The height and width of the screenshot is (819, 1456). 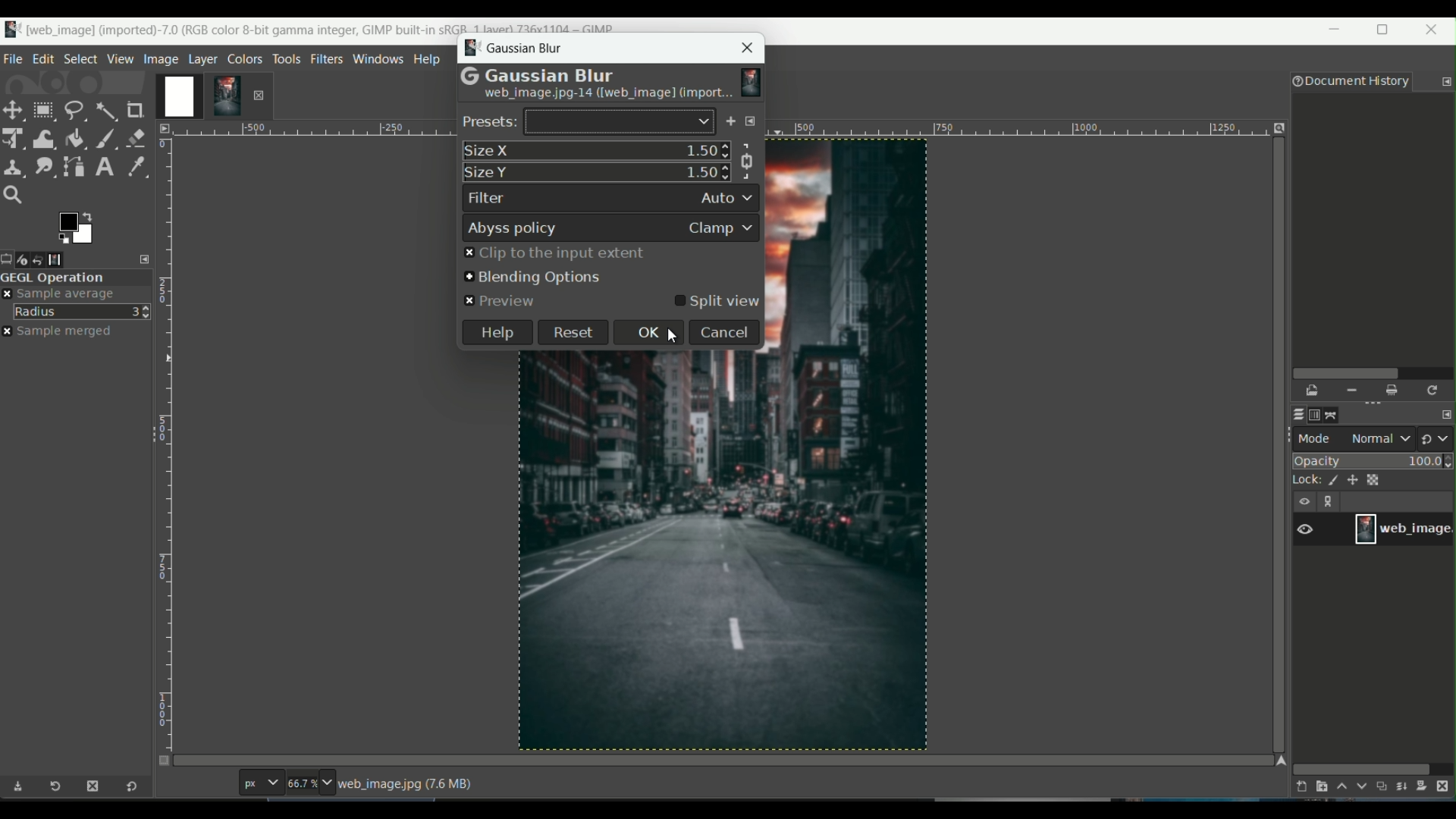 What do you see at coordinates (701, 172) in the screenshot?
I see `1.50` at bounding box center [701, 172].